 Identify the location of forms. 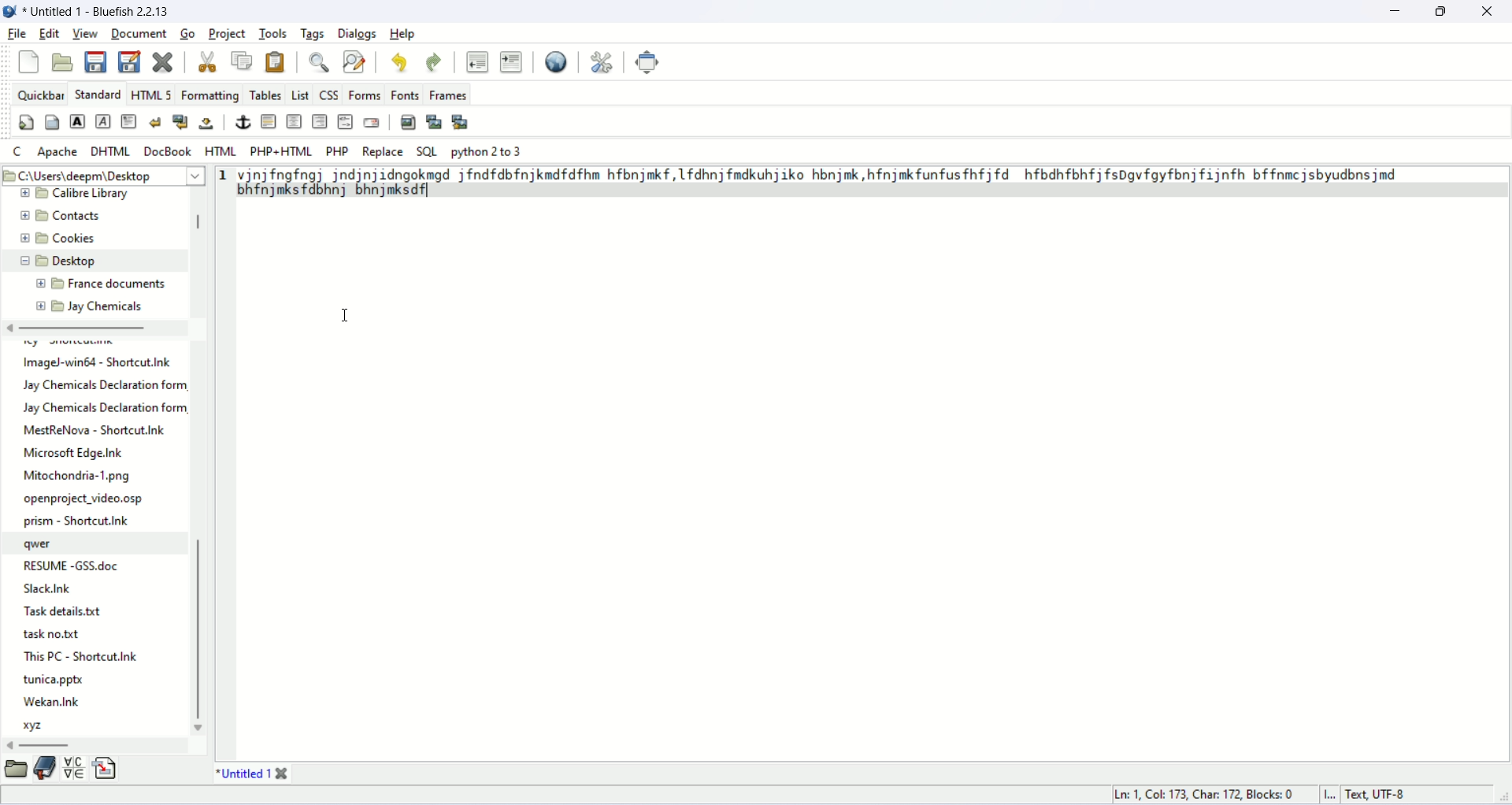
(365, 95).